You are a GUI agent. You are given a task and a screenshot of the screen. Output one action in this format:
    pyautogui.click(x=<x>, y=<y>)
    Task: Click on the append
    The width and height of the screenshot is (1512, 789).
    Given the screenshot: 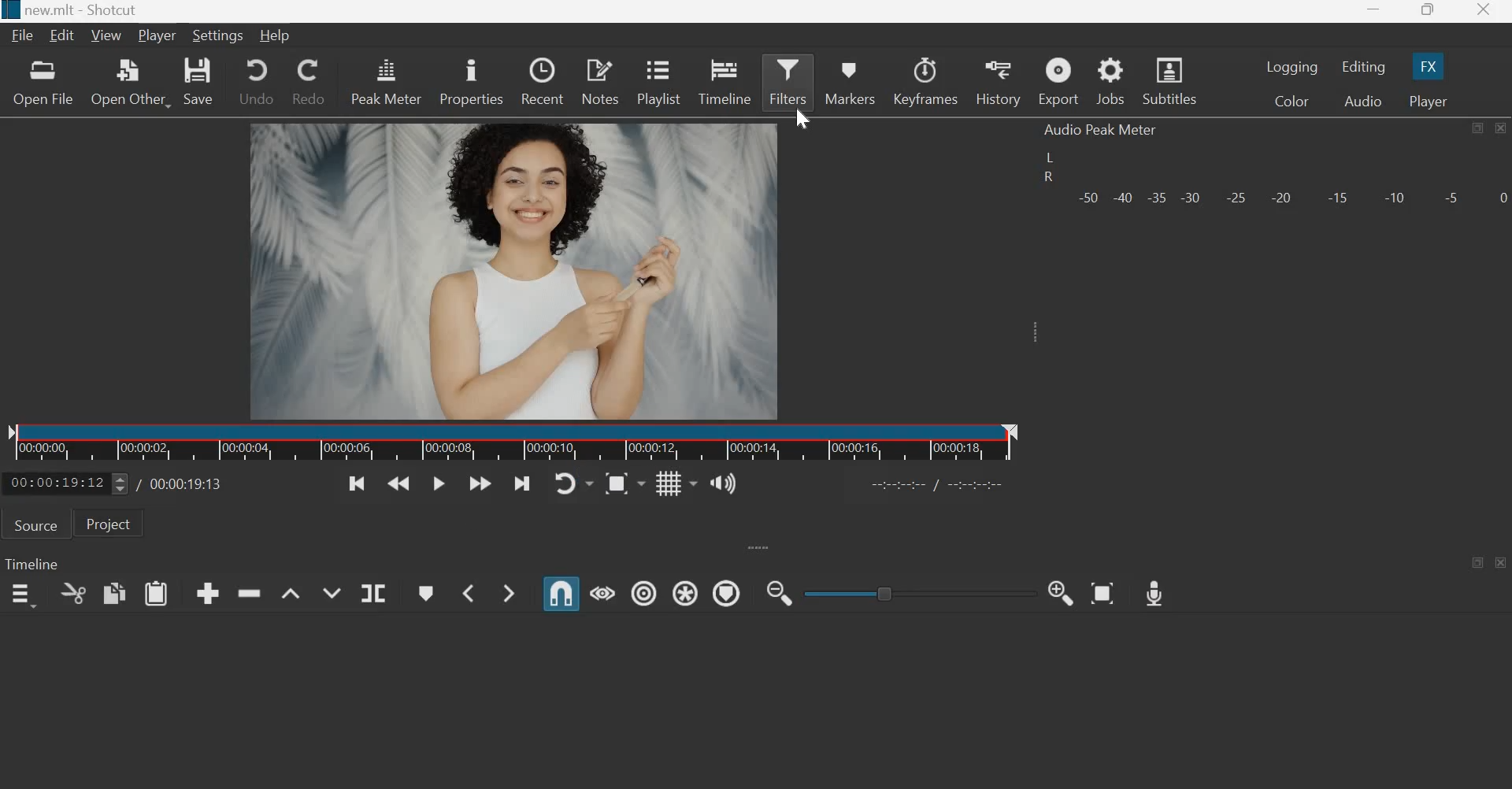 What is the action you would take?
    pyautogui.click(x=209, y=593)
    